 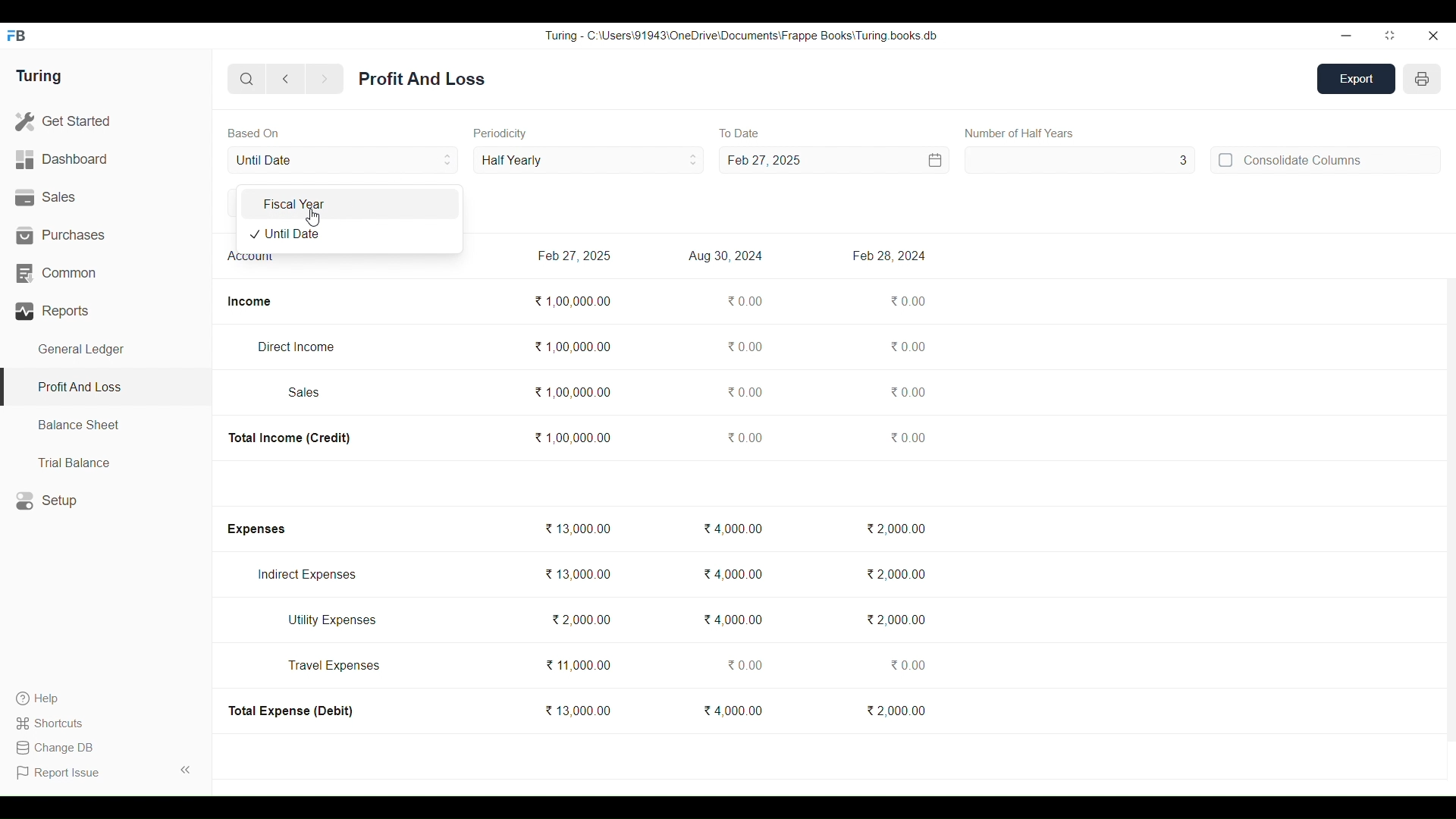 What do you see at coordinates (312, 218) in the screenshot?
I see `Cursor` at bounding box center [312, 218].